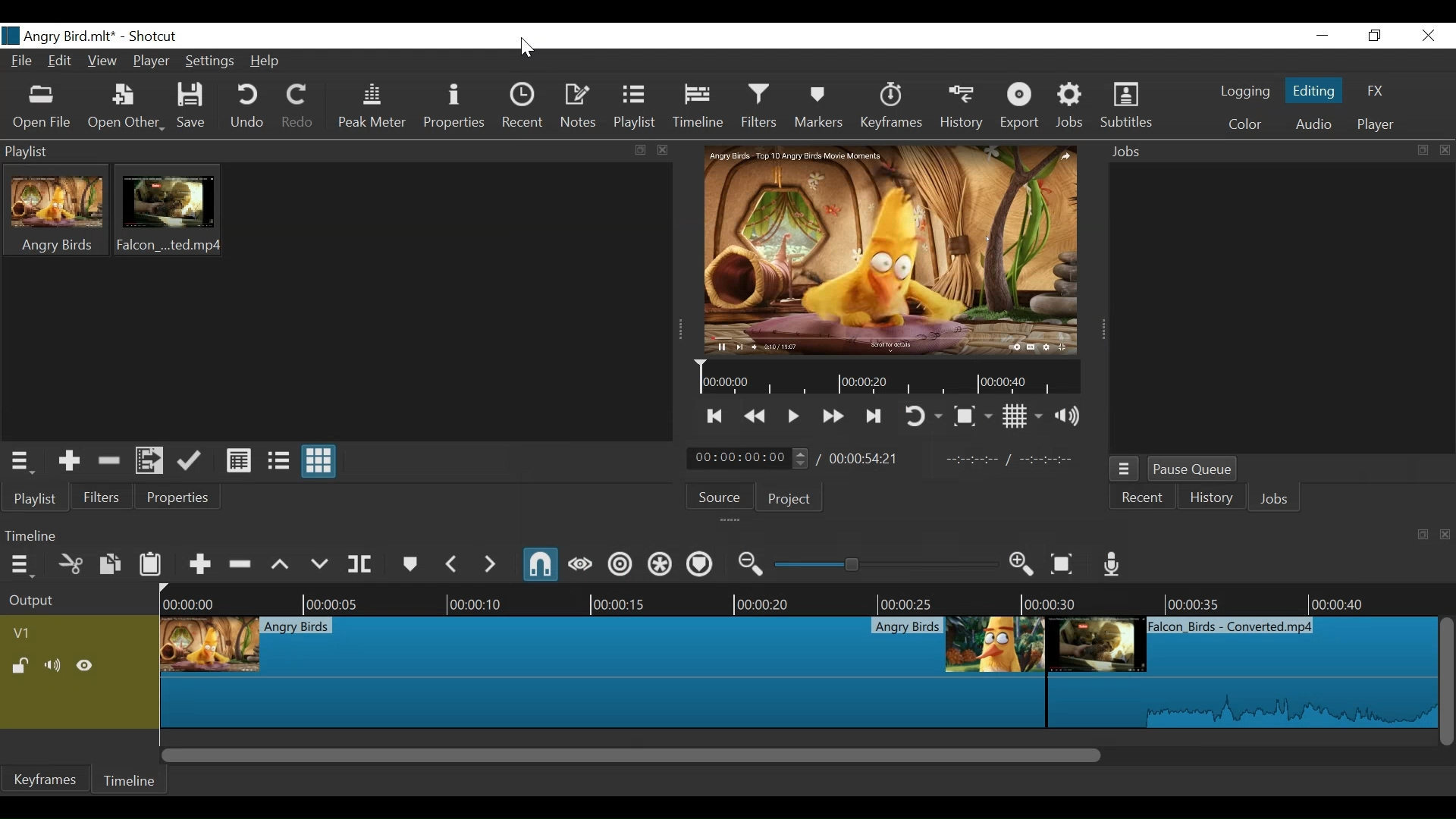 This screenshot has height=819, width=1456. Describe the element at coordinates (453, 566) in the screenshot. I see `Previous Marker` at that location.